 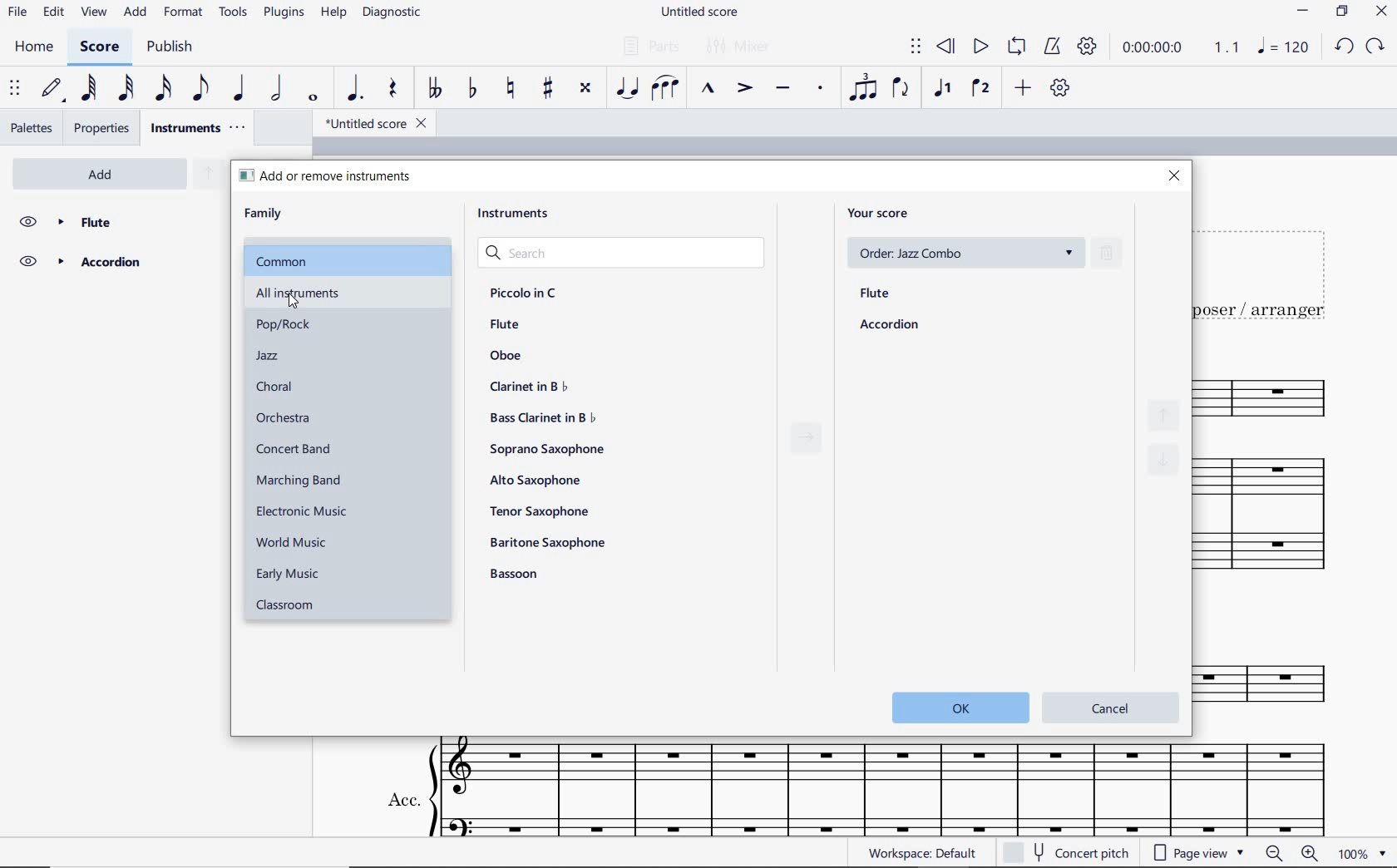 What do you see at coordinates (17, 11) in the screenshot?
I see `FILE` at bounding box center [17, 11].